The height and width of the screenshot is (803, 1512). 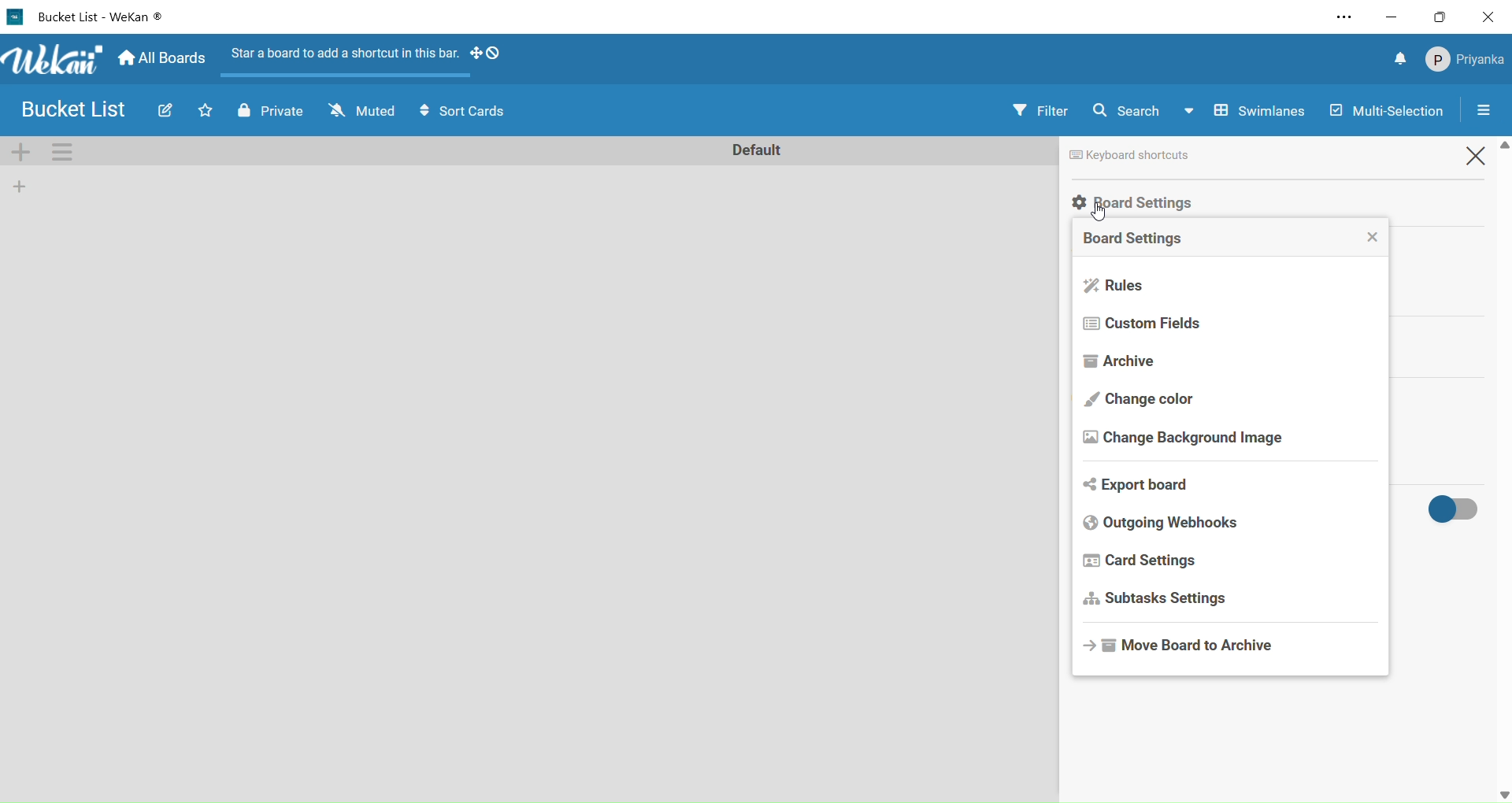 I want to click on subtasks settings, so click(x=1228, y=598).